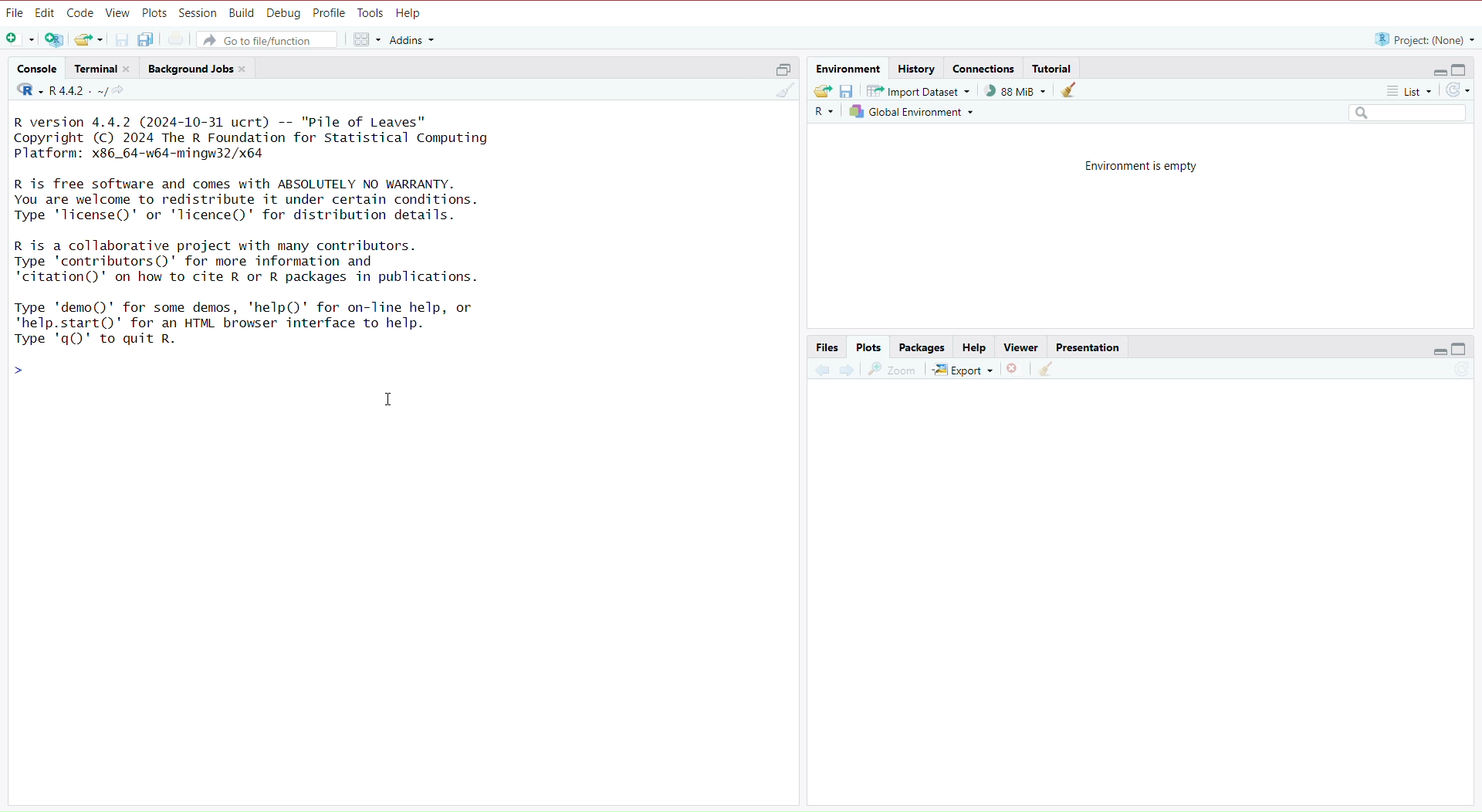  Describe the element at coordinates (919, 67) in the screenshot. I see `history` at that location.